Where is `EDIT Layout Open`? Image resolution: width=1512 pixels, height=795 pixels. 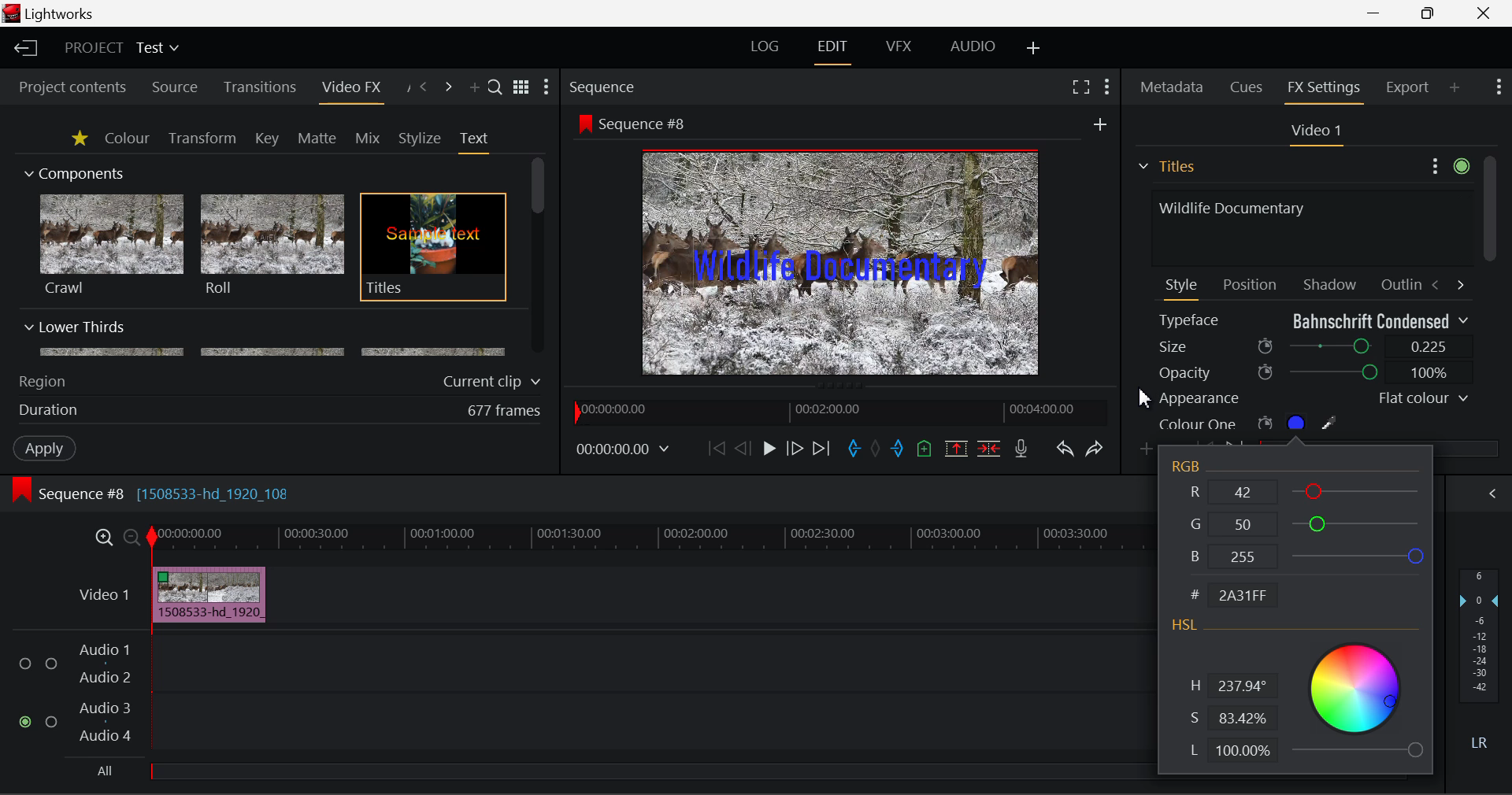 EDIT Layout Open is located at coordinates (836, 52).